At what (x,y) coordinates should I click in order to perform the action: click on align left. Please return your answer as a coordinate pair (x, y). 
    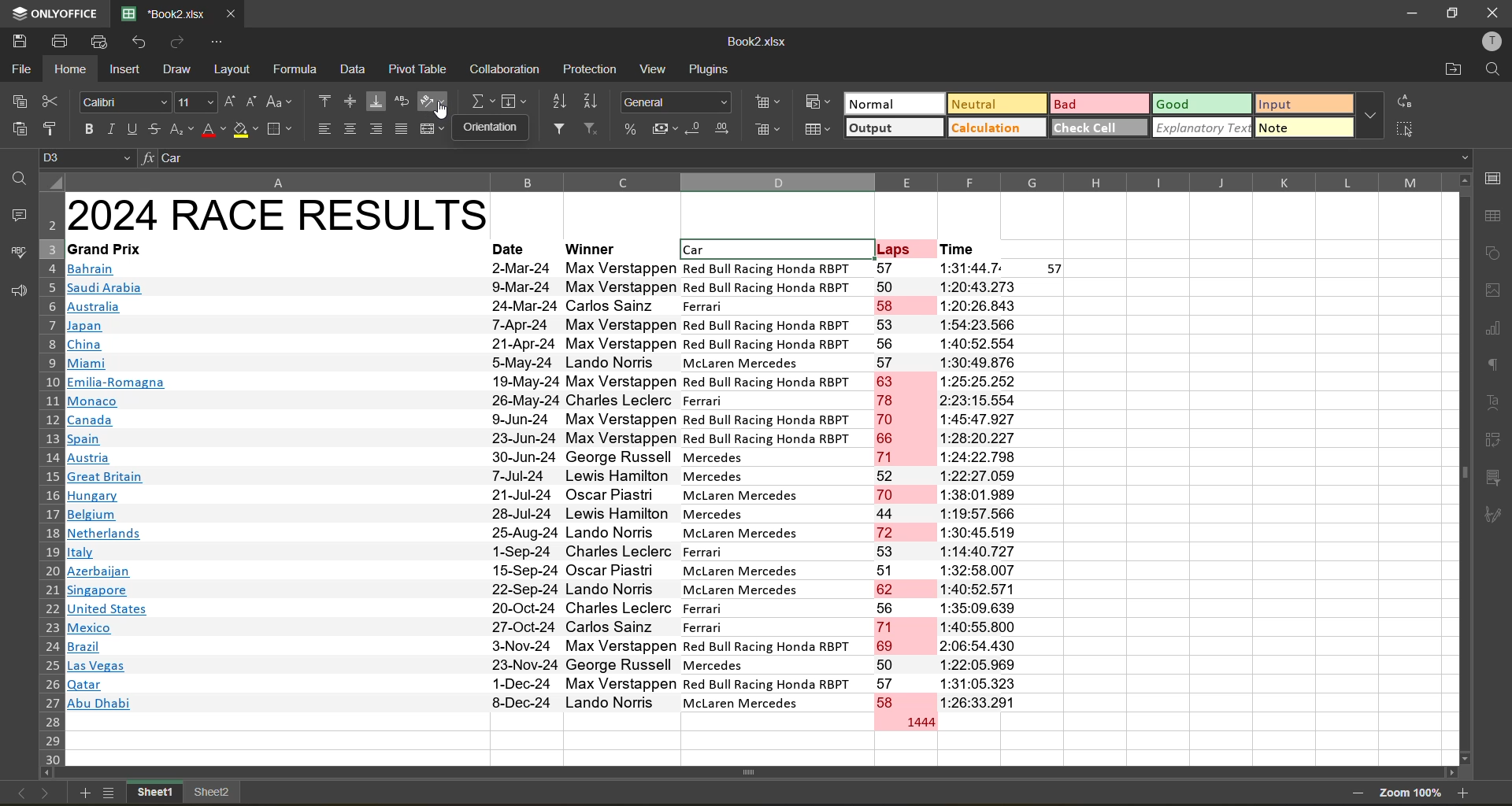
    Looking at the image, I should click on (324, 128).